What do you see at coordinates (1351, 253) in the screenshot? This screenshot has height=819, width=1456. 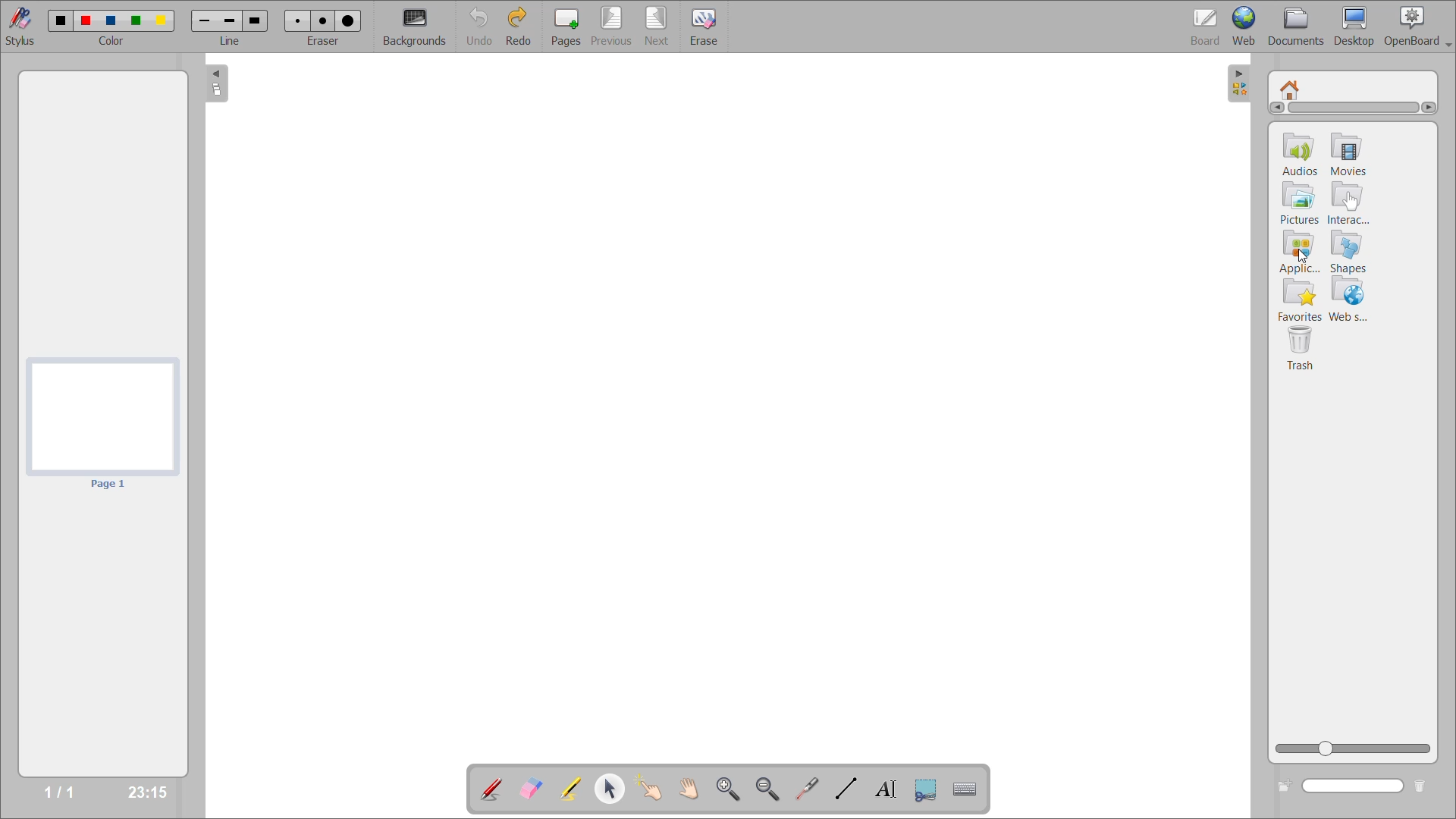 I see `shapes` at bounding box center [1351, 253].